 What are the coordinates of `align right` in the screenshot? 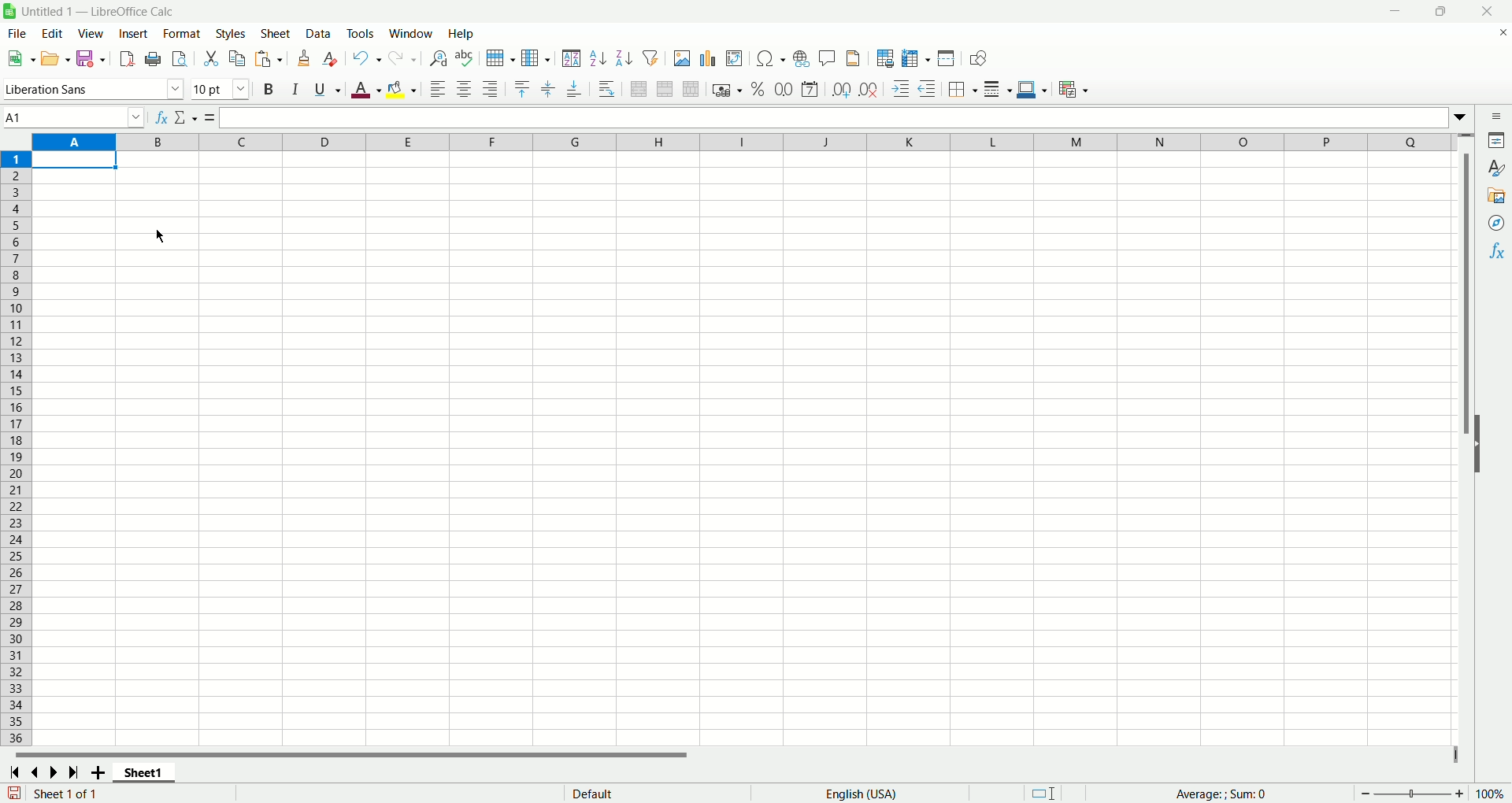 It's located at (491, 91).